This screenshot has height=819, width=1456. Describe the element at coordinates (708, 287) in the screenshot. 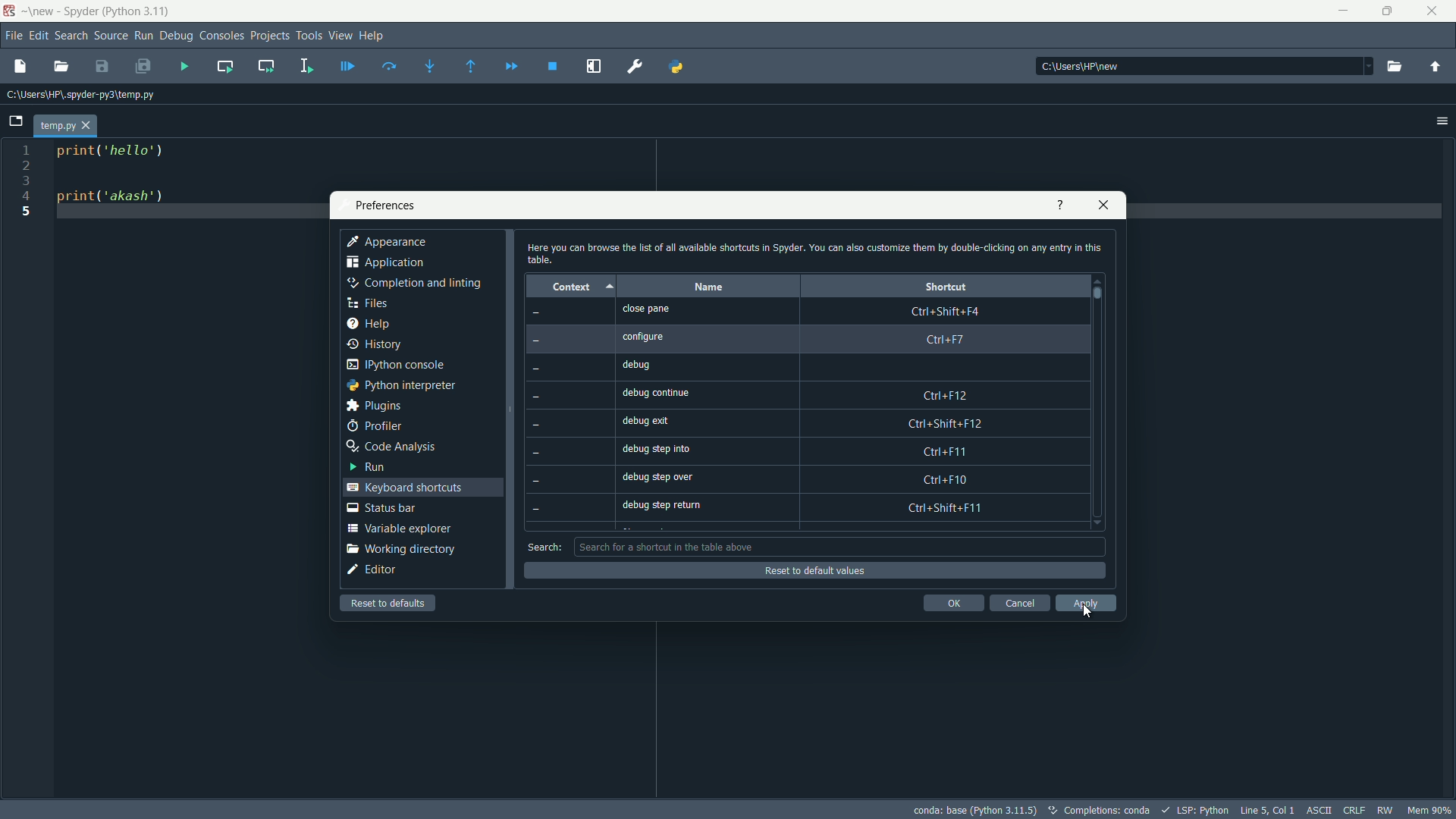

I see `name` at that location.